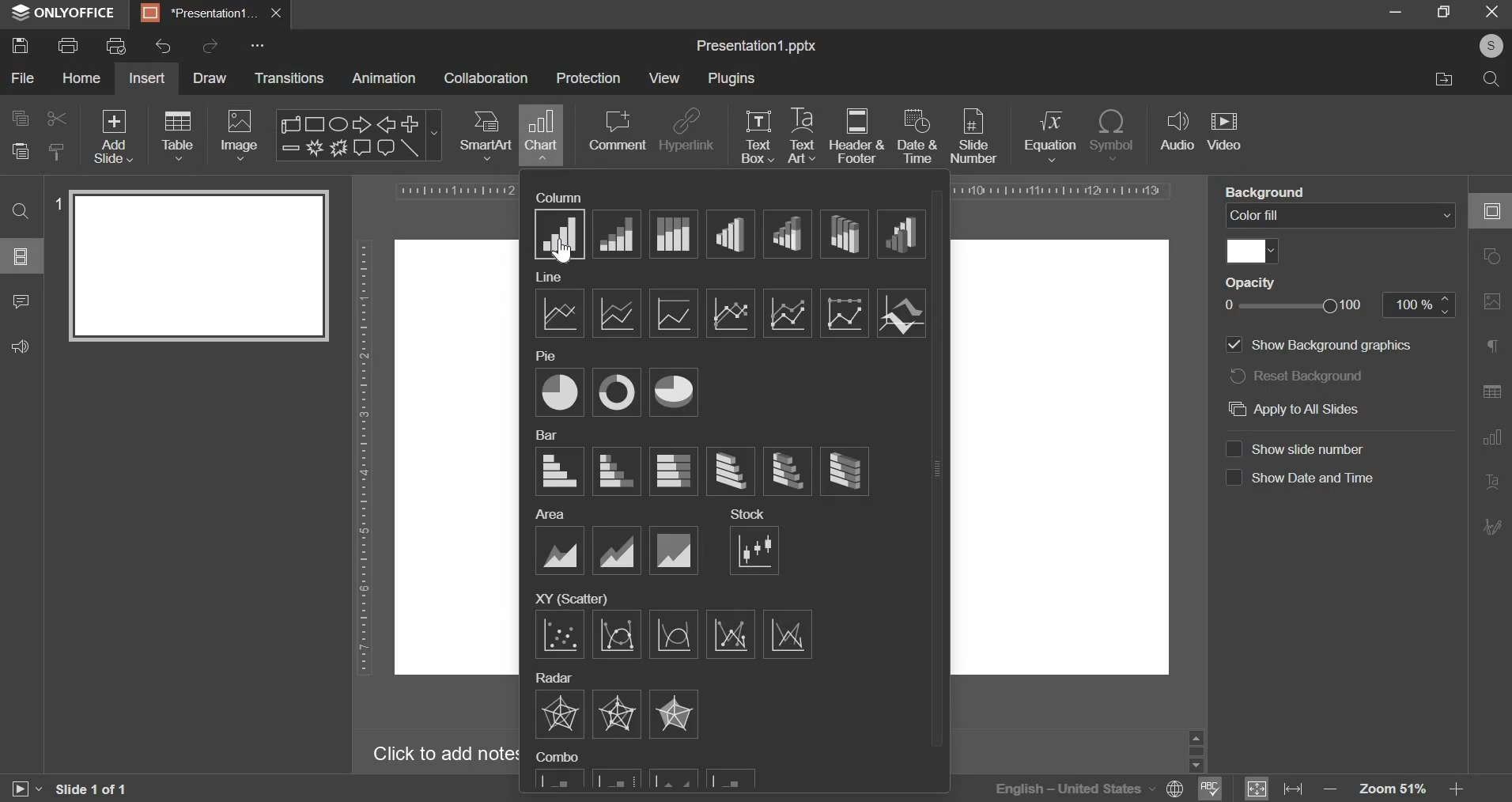 The width and height of the screenshot is (1512, 802). Describe the element at coordinates (20, 152) in the screenshot. I see `paste` at that location.